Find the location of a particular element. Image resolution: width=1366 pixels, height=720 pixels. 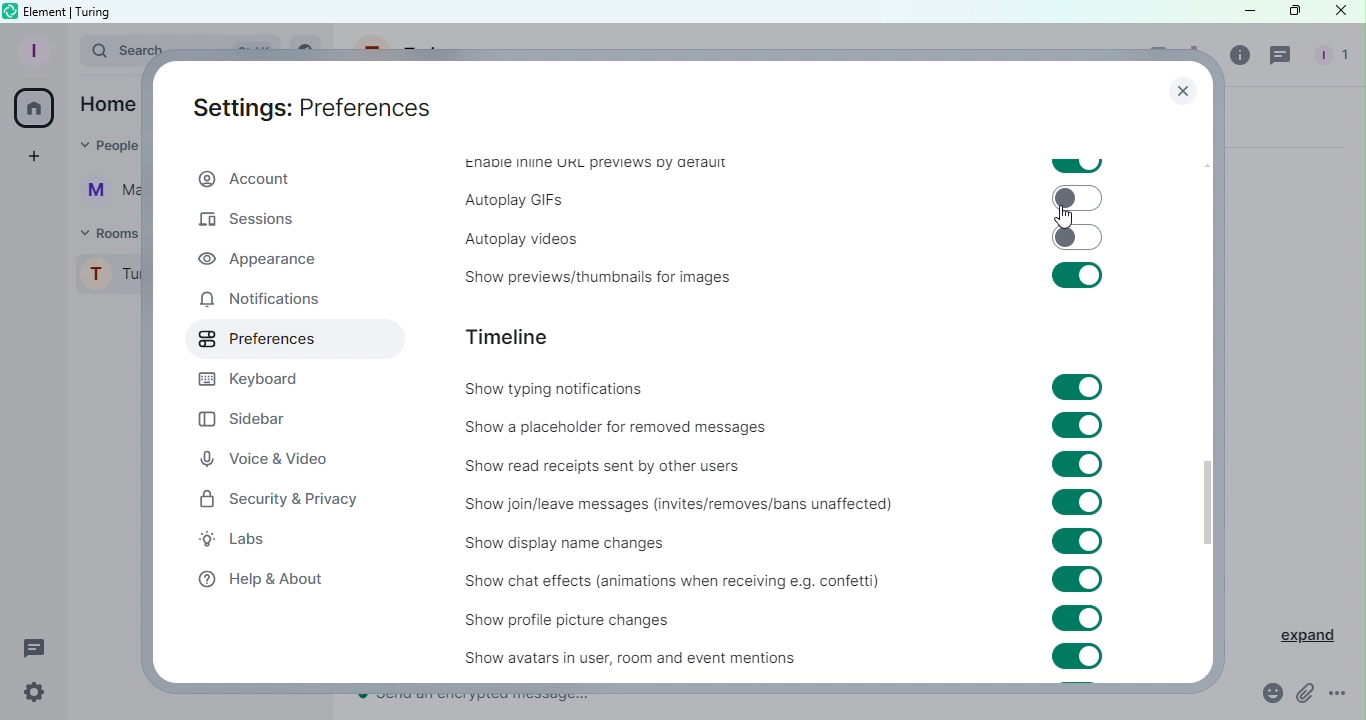

Toggle is located at coordinates (1076, 237).